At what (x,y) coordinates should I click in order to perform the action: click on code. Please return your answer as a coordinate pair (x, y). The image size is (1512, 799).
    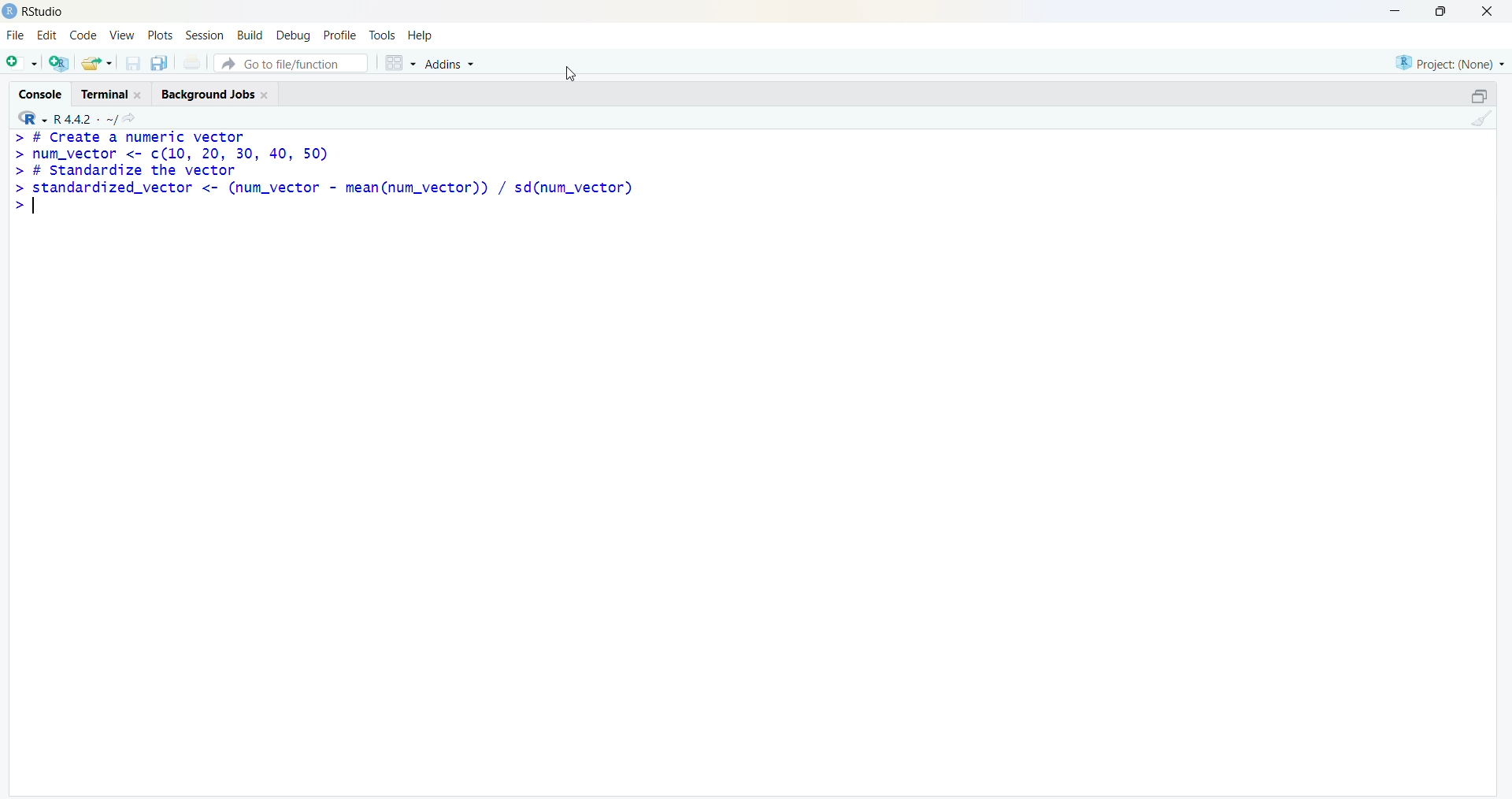
    Looking at the image, I should click on (83, 35).